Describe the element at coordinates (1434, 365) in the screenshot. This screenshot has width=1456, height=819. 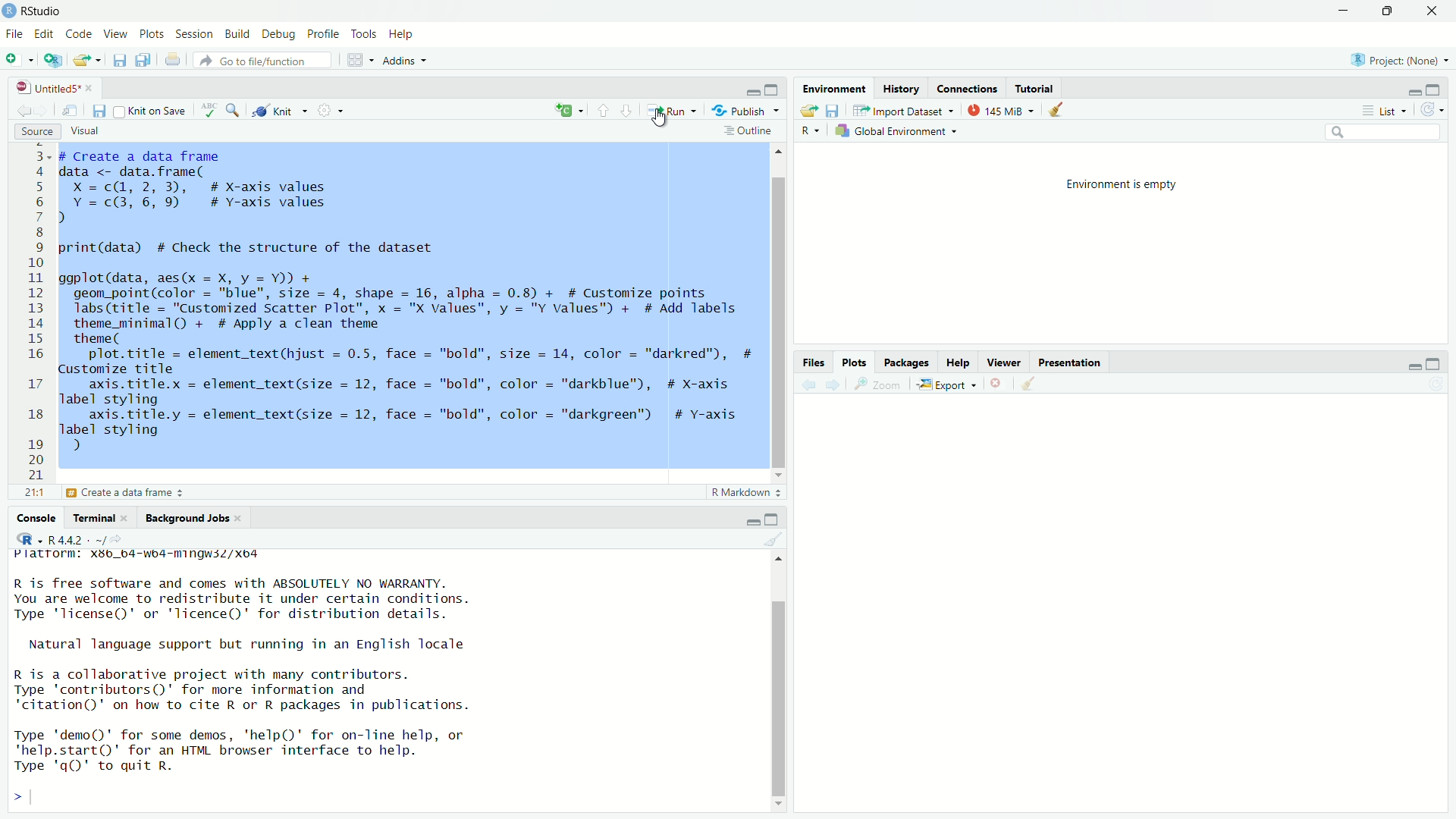
I see `Maximize` at that location.